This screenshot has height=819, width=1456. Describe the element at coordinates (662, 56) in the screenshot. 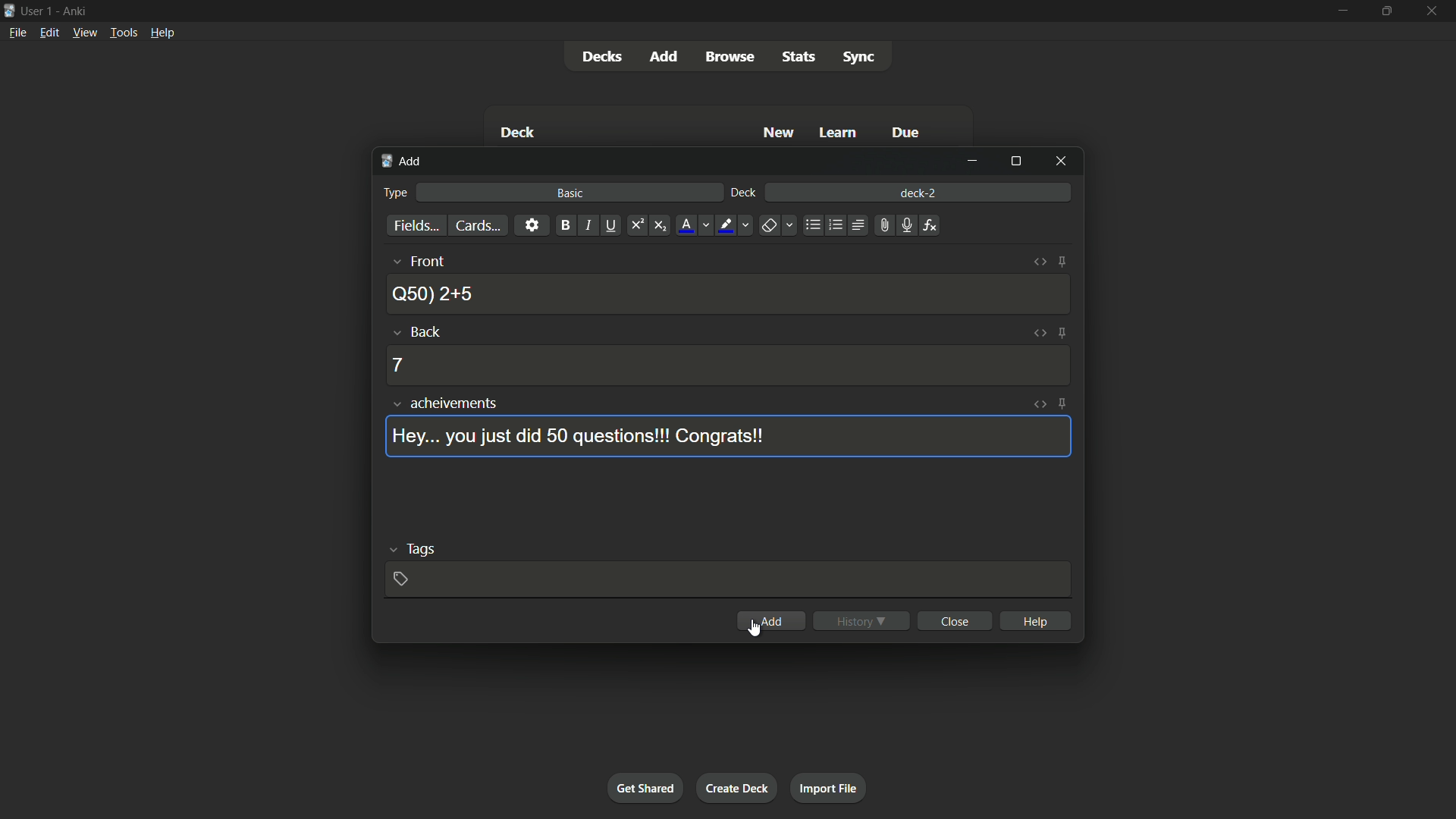

I see `add` at that location.